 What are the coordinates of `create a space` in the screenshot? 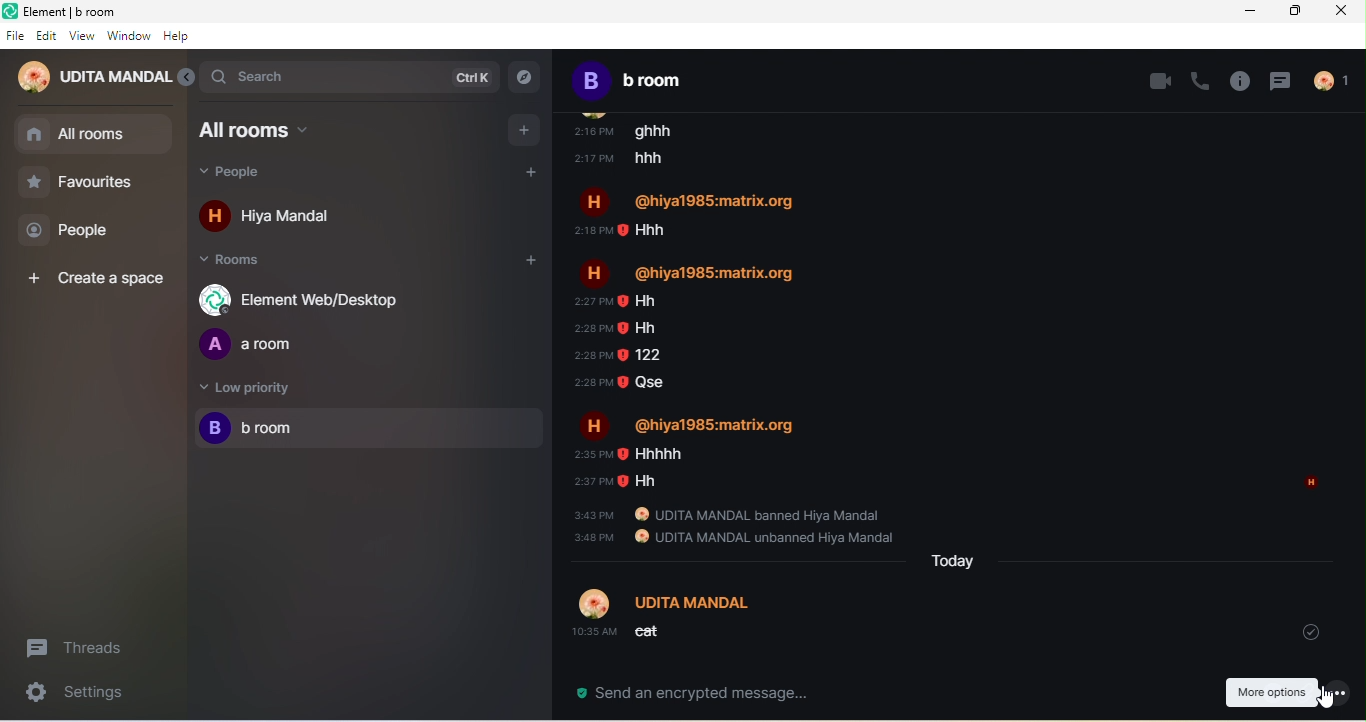 It's located at (100, 279).